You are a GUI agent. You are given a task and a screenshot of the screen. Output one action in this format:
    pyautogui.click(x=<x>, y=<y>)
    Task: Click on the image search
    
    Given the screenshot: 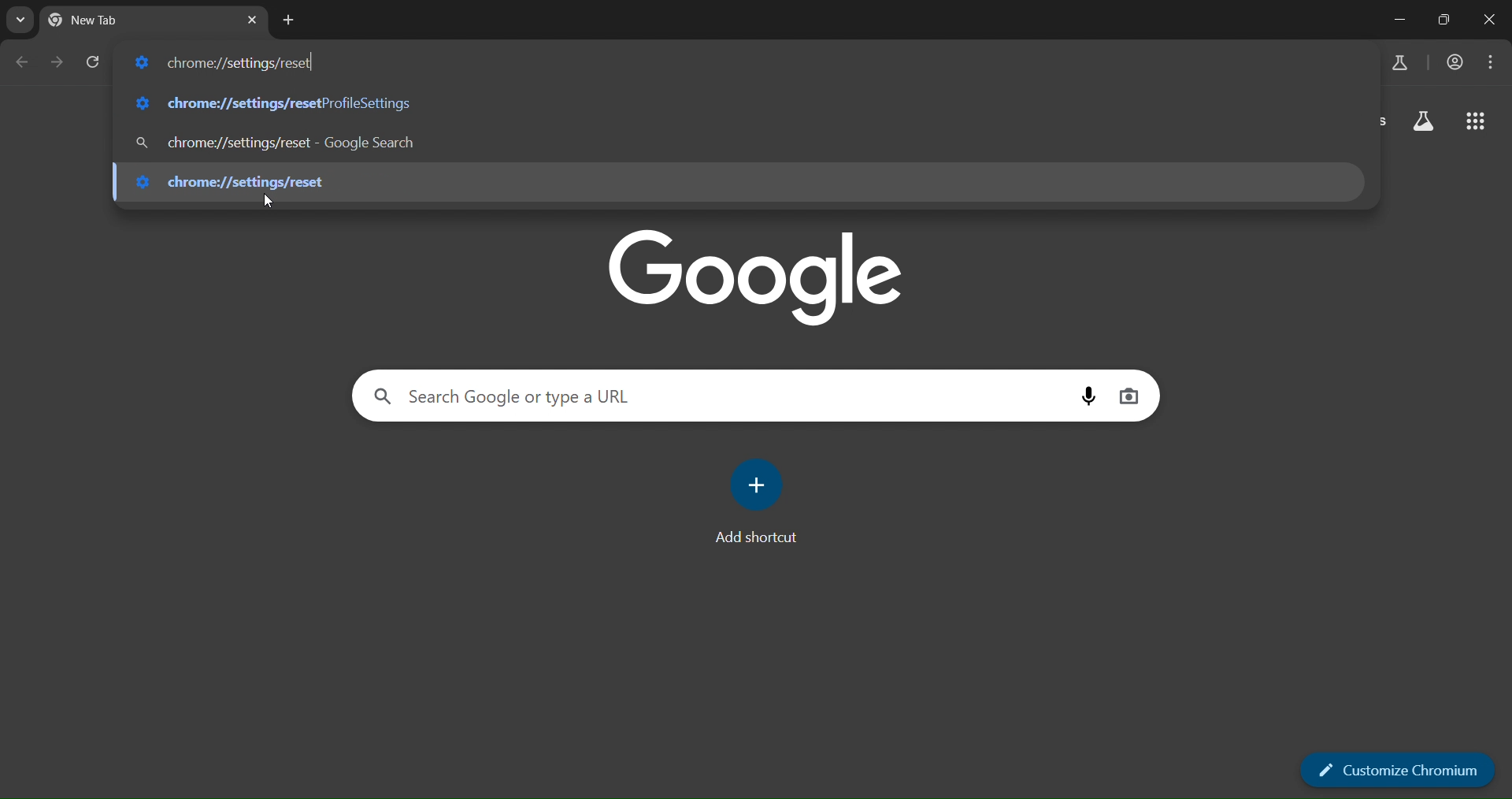 What is the action you would take?
    pyautogui.click(x=1130, y=394)
    